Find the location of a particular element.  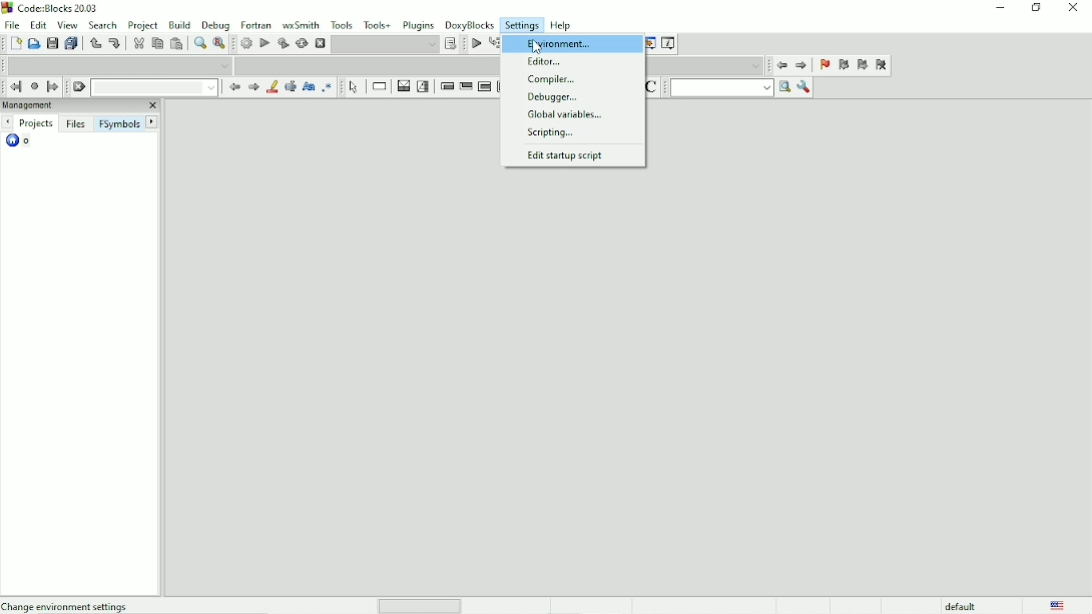

Find is located at coordinates (198, 43).